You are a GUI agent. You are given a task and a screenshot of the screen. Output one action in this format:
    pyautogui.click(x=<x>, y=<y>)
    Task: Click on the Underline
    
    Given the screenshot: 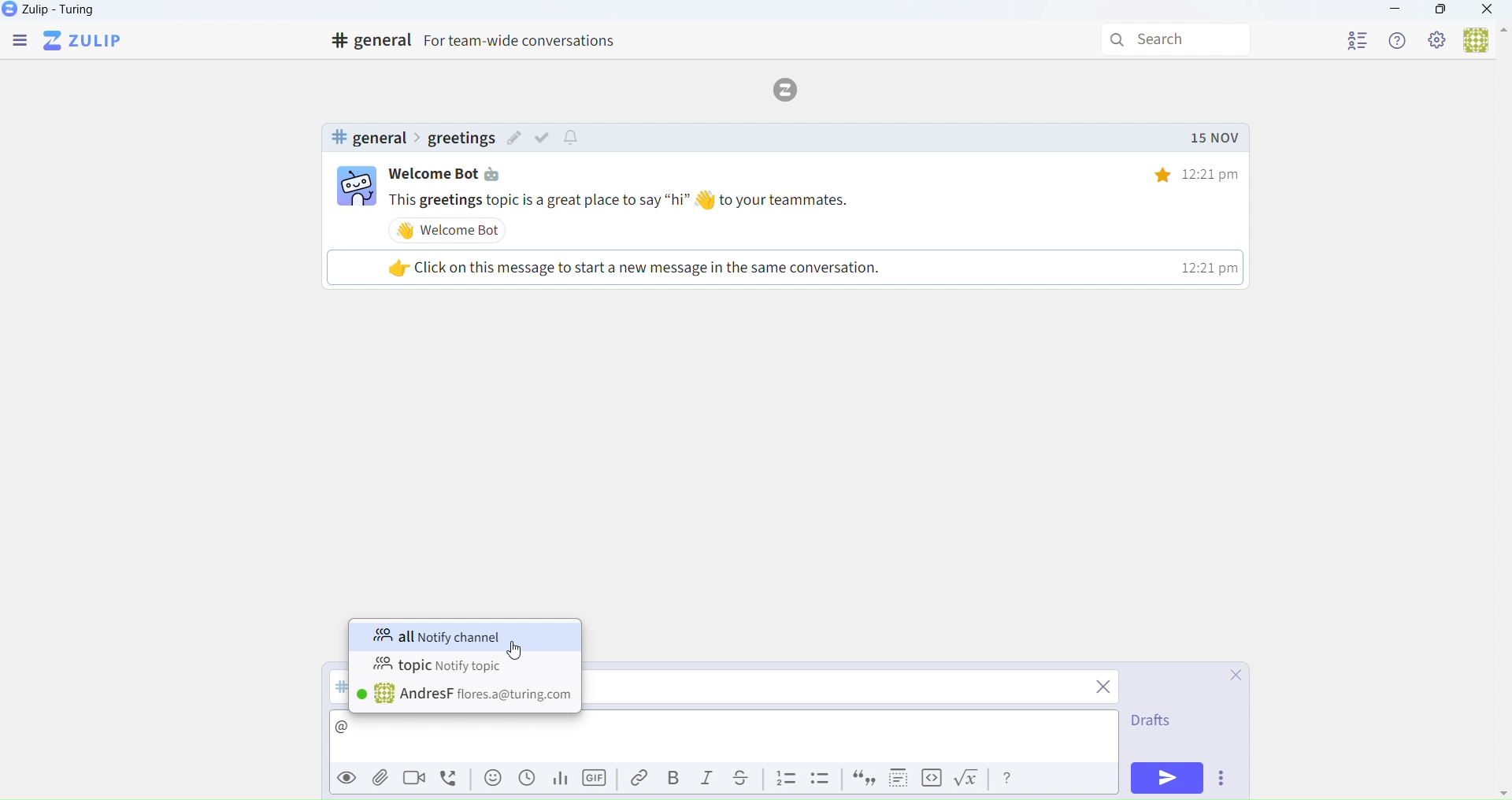 What is the action you would take?
    pyautogui.click(x=747, y=779)
    